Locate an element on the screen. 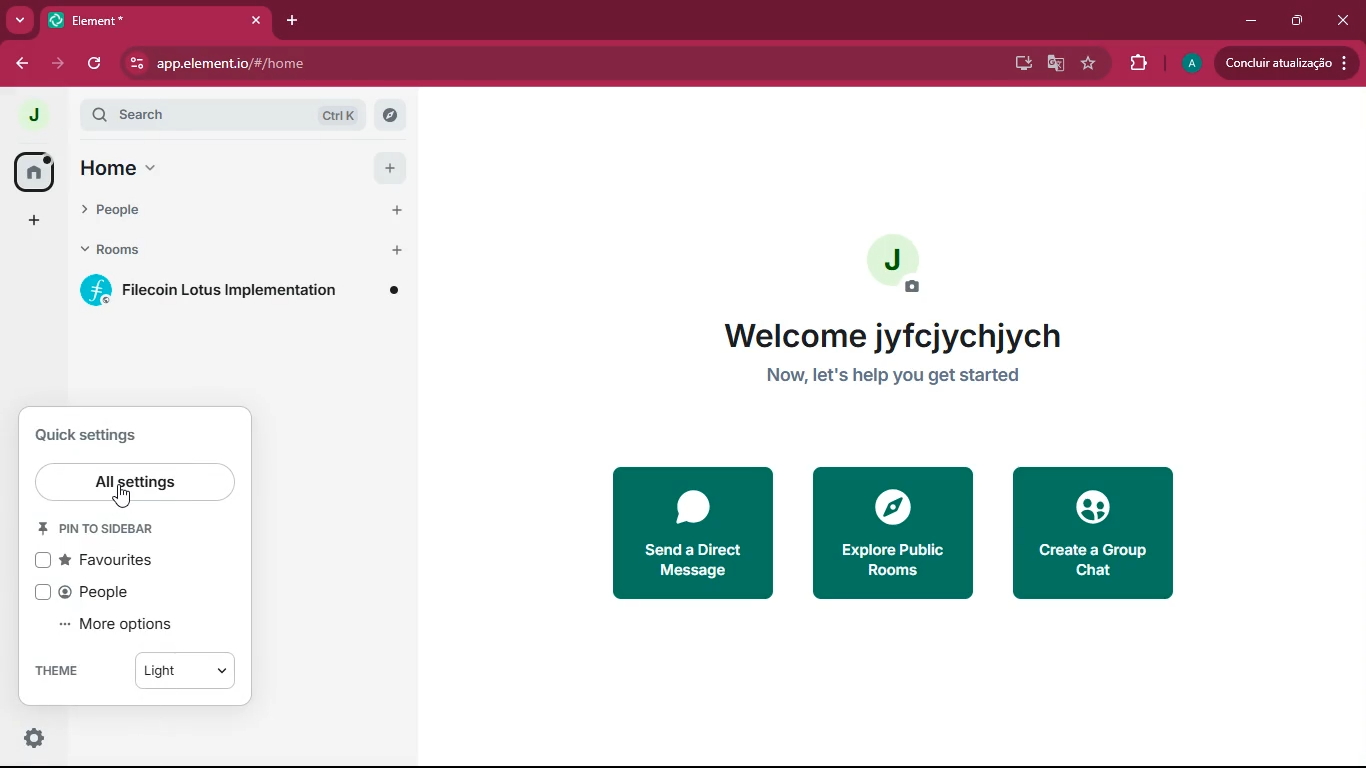 Image resolution: width=1366 pixels, height=768 pixels. explore rooms is located at coordinates (389, 113).